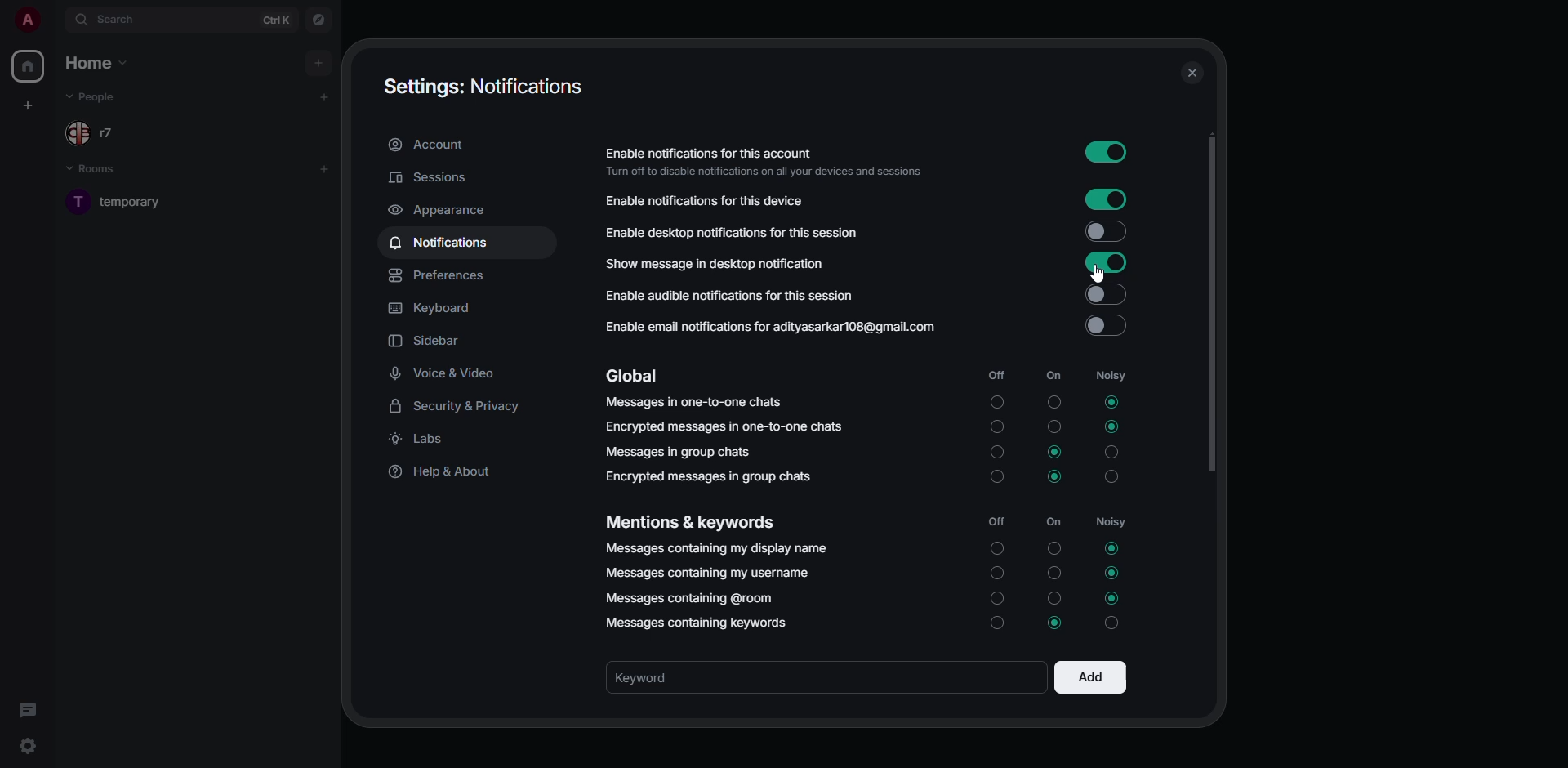  Describe the element at coordinates (99, 100) in the screenshot. I see `people` at that location.